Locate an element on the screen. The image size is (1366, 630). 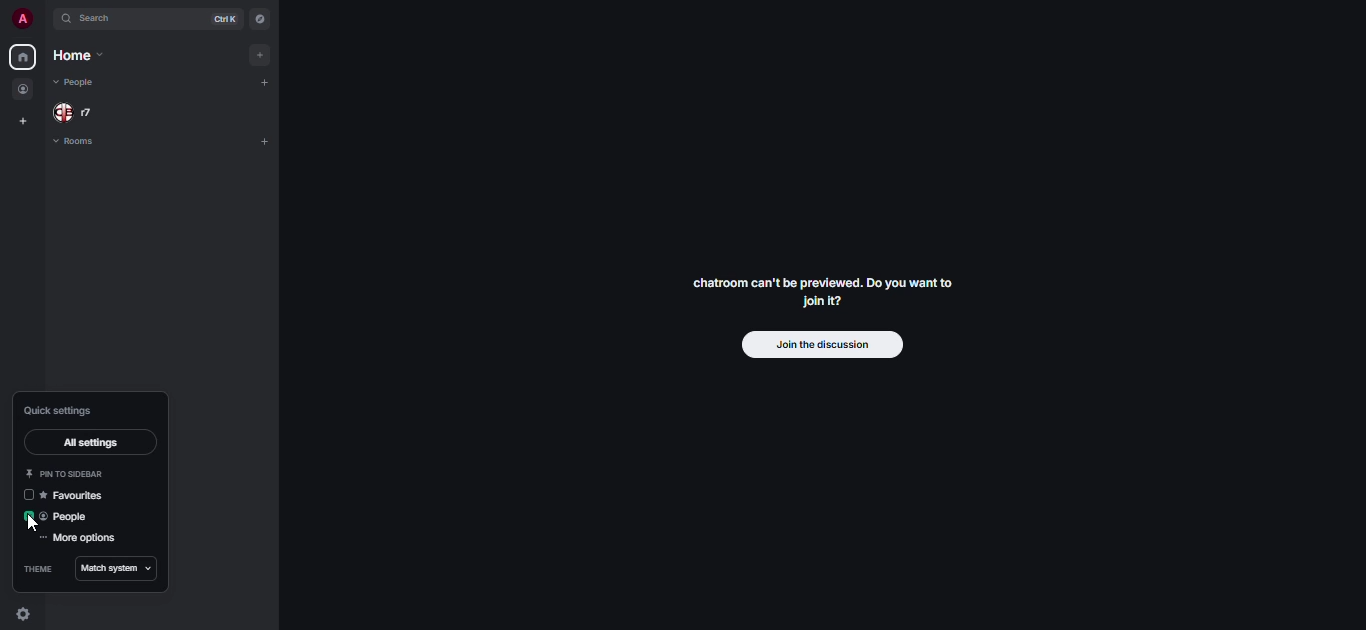
quick settings is located at coordinates (24, 615).